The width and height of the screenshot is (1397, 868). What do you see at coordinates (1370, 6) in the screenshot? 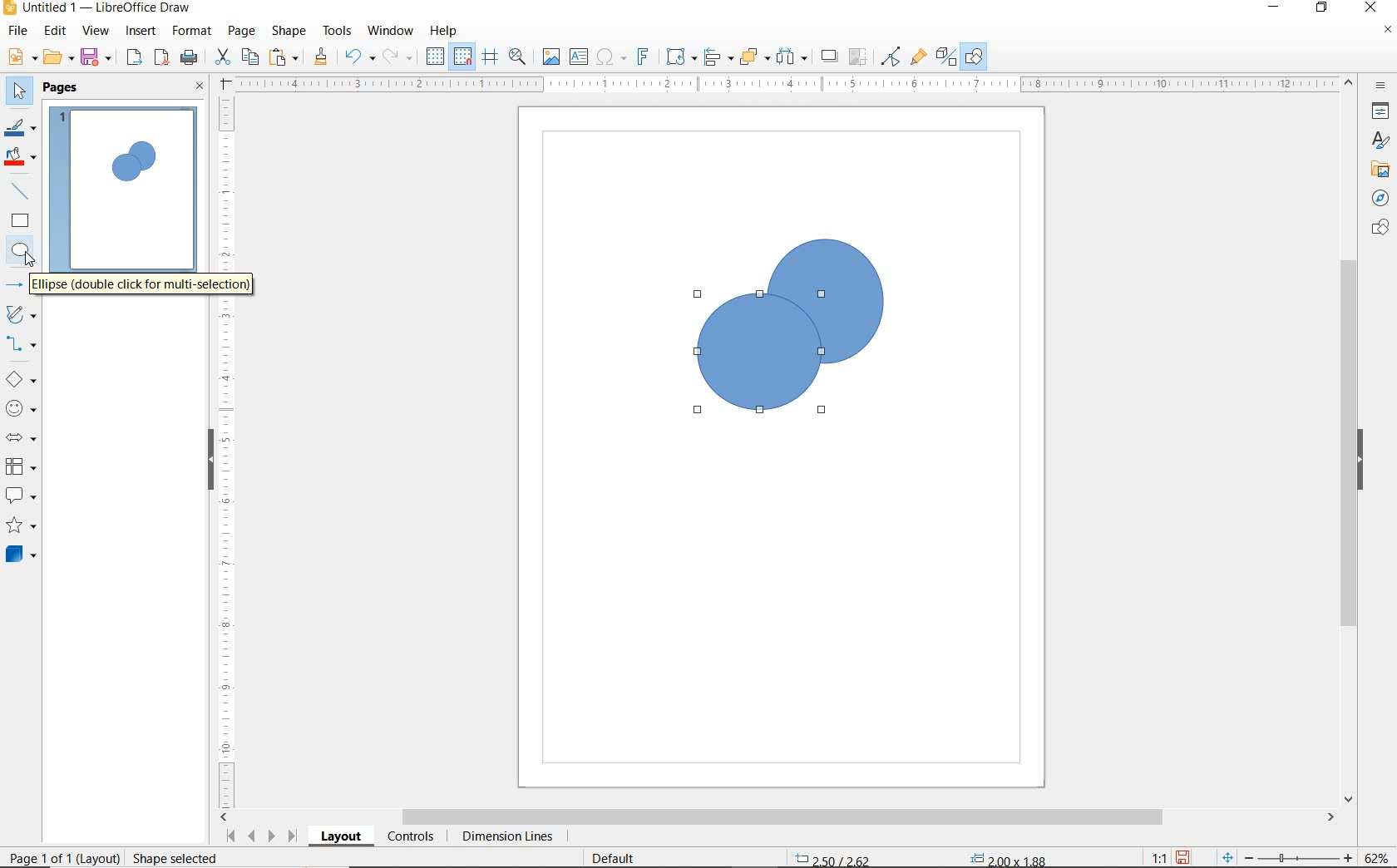
I see `CLOSE` at bounding box center [1370, 6].